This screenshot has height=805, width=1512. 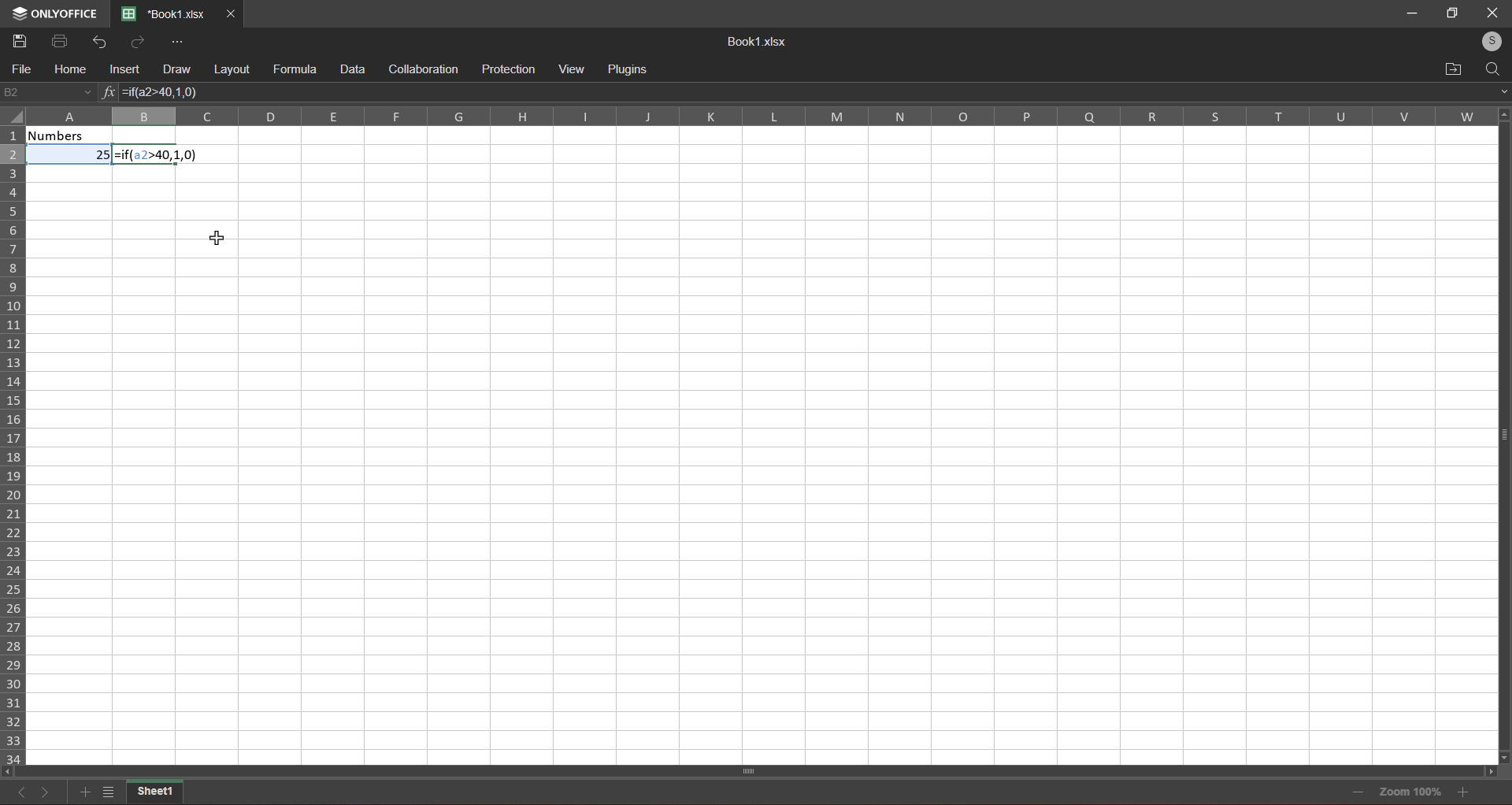 I want to click on more, so click(x=176, y=42).